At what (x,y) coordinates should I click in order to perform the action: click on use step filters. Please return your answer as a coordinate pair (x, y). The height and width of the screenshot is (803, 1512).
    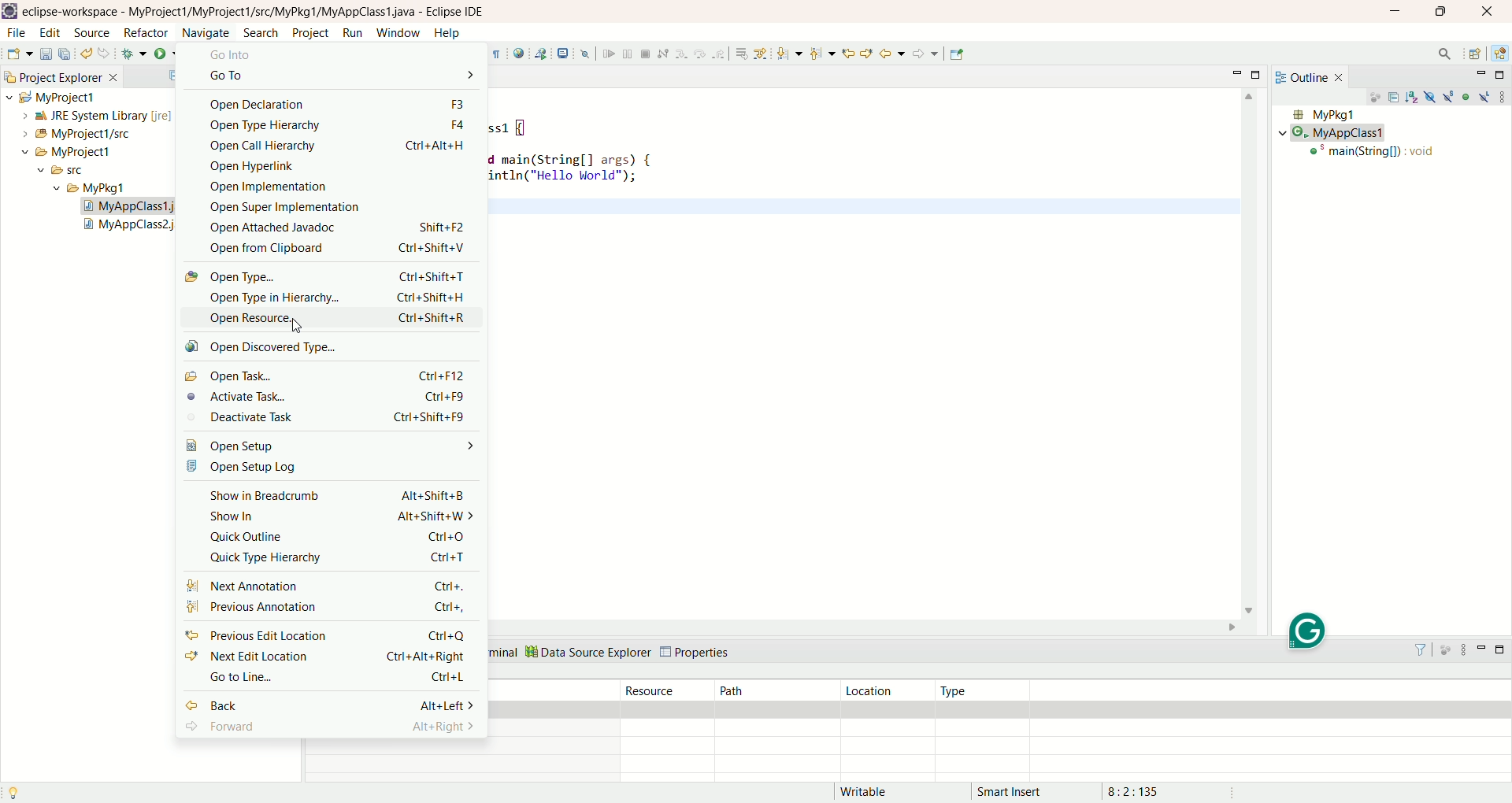
    Looking at the image, I should click on (760, 54).